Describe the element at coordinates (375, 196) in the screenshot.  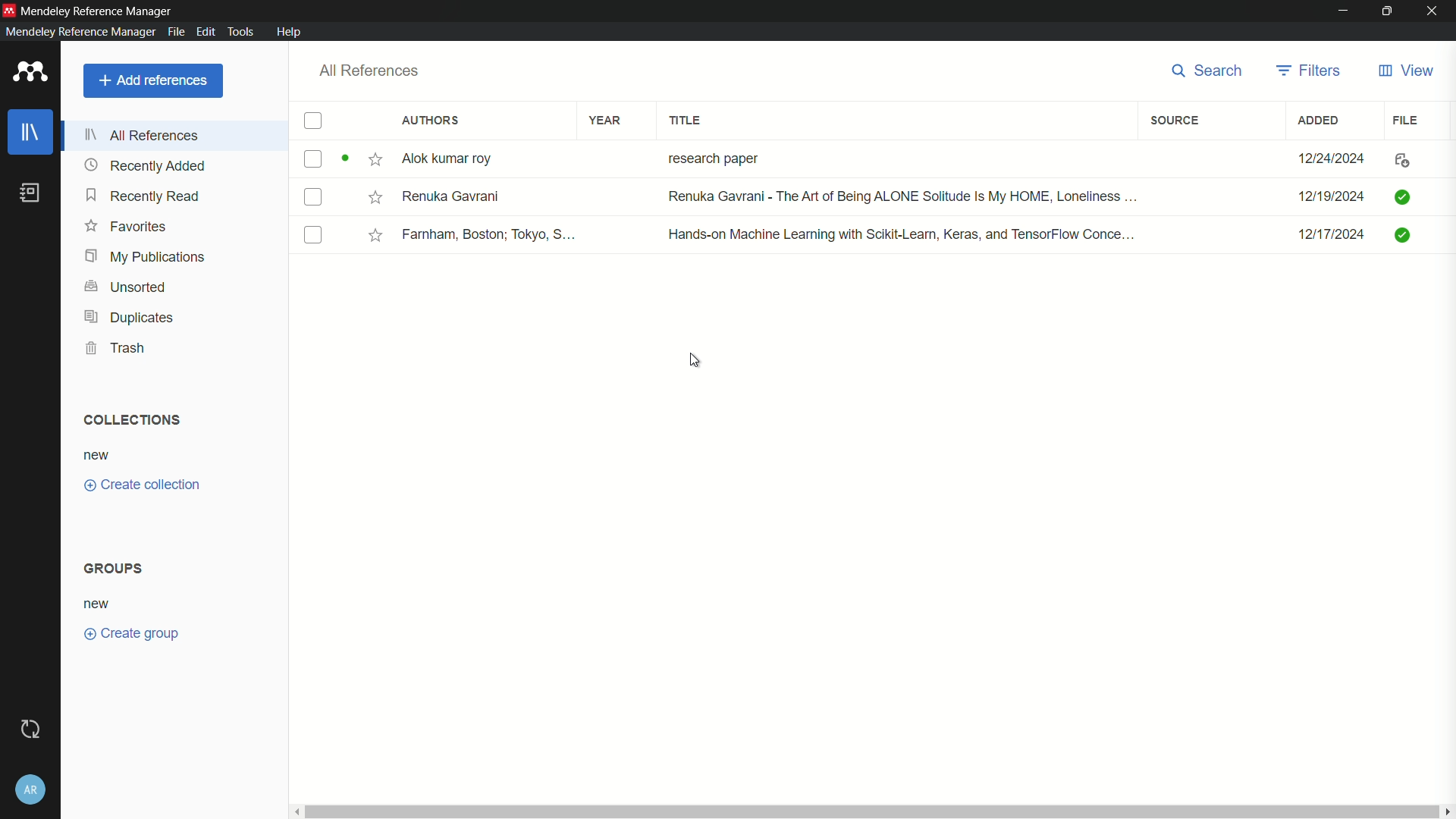
I see `` at that location.